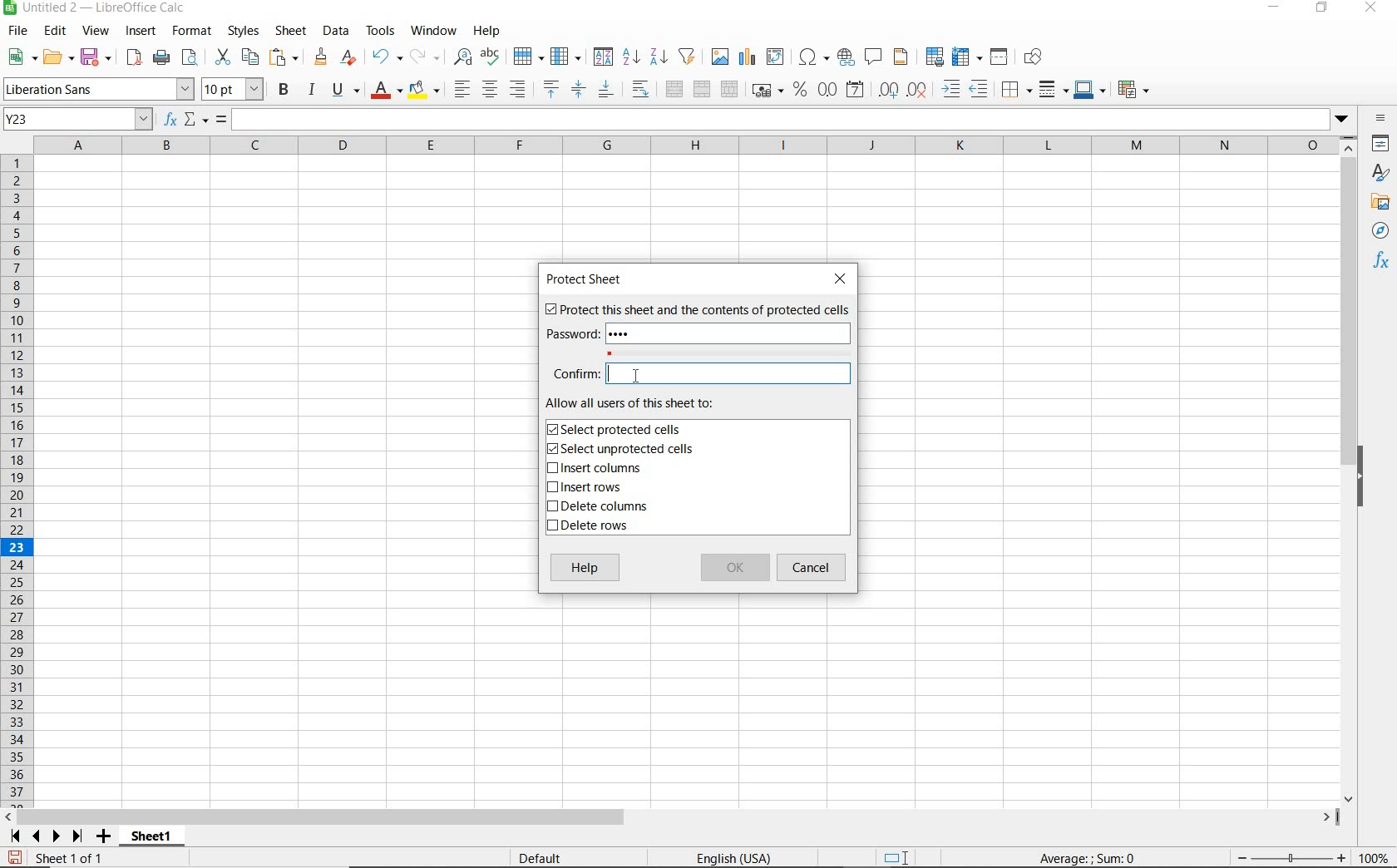 The image size is (1397, 868). Describe the element at coordinates (386, 57) in the screenshot. I see `UNDO` at that location.